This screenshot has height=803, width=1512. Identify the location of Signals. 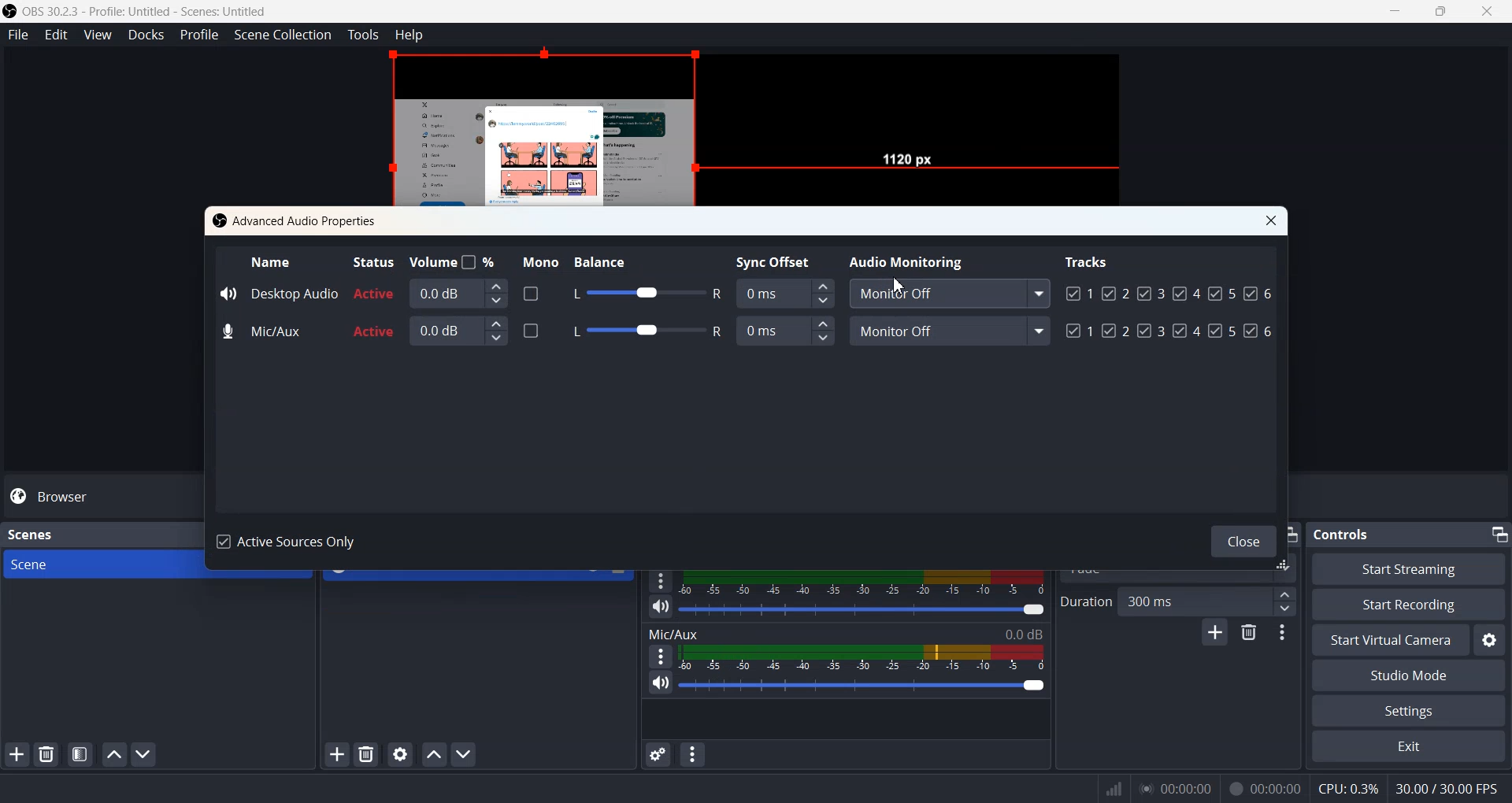
(1109, 789).